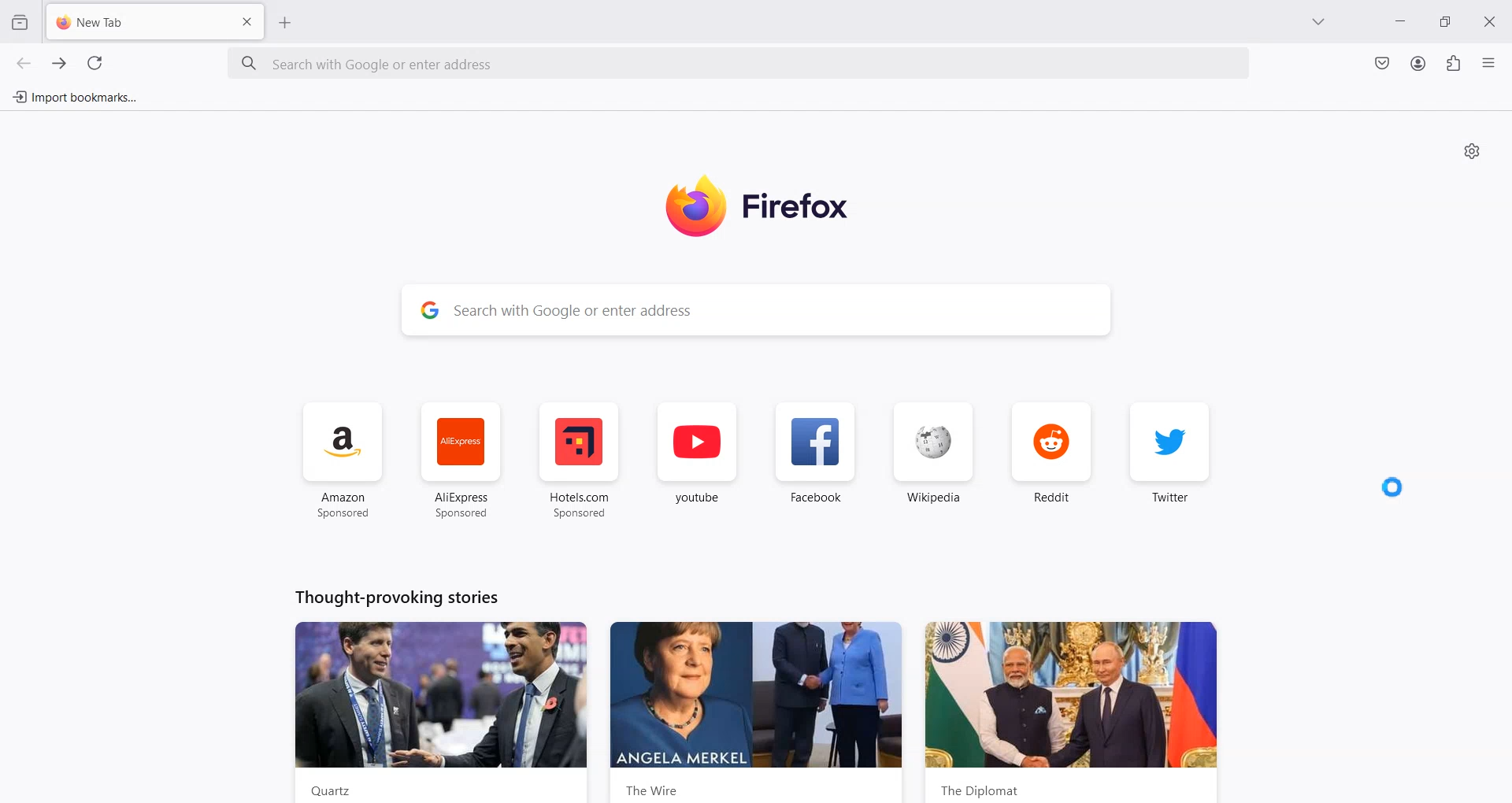  Describe the element at coordinates (1391, 487) in the screenshot. I see `Cursor` at that location.